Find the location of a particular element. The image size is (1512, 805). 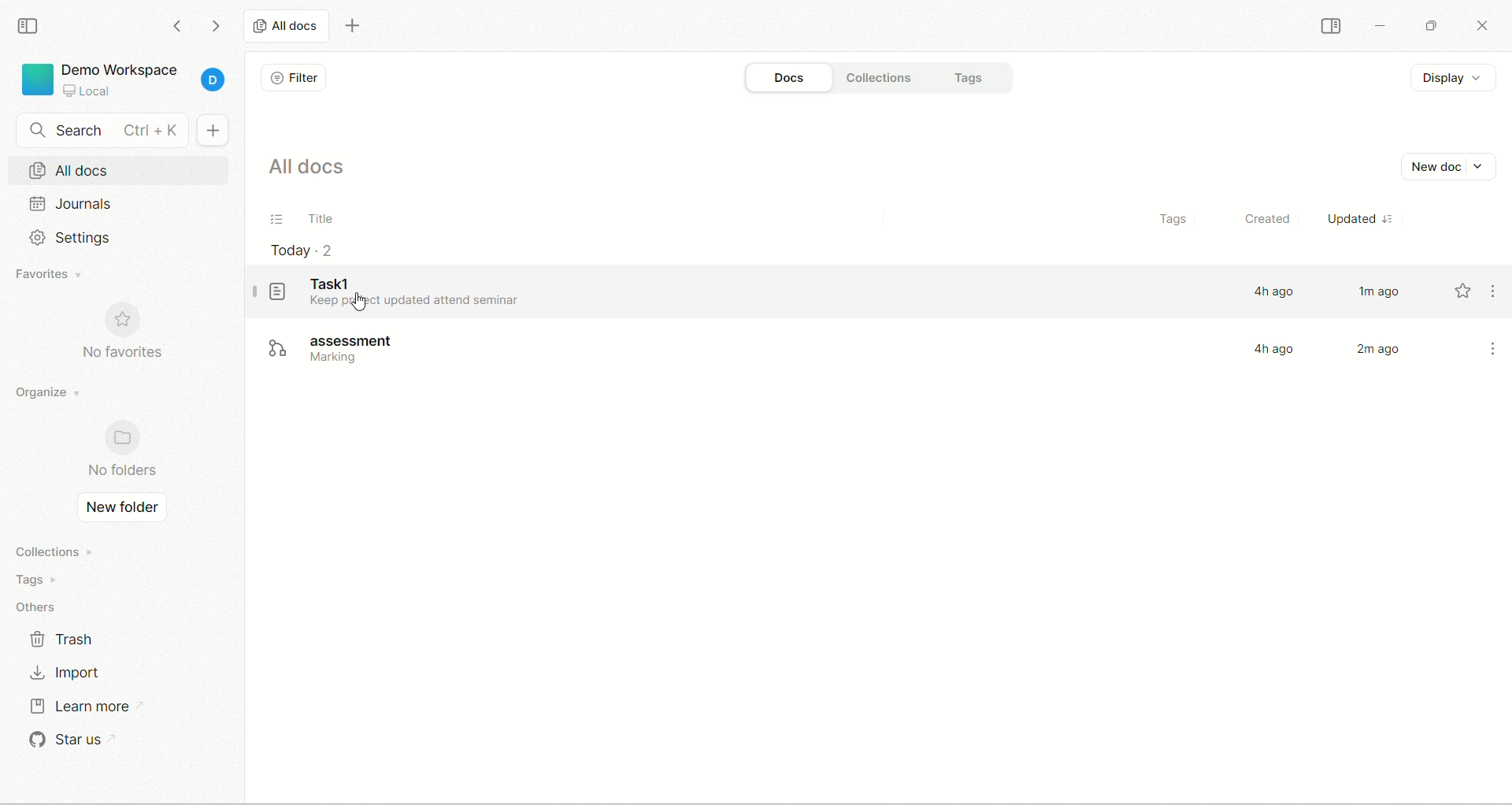

tags is located at coordinates (46, 580).